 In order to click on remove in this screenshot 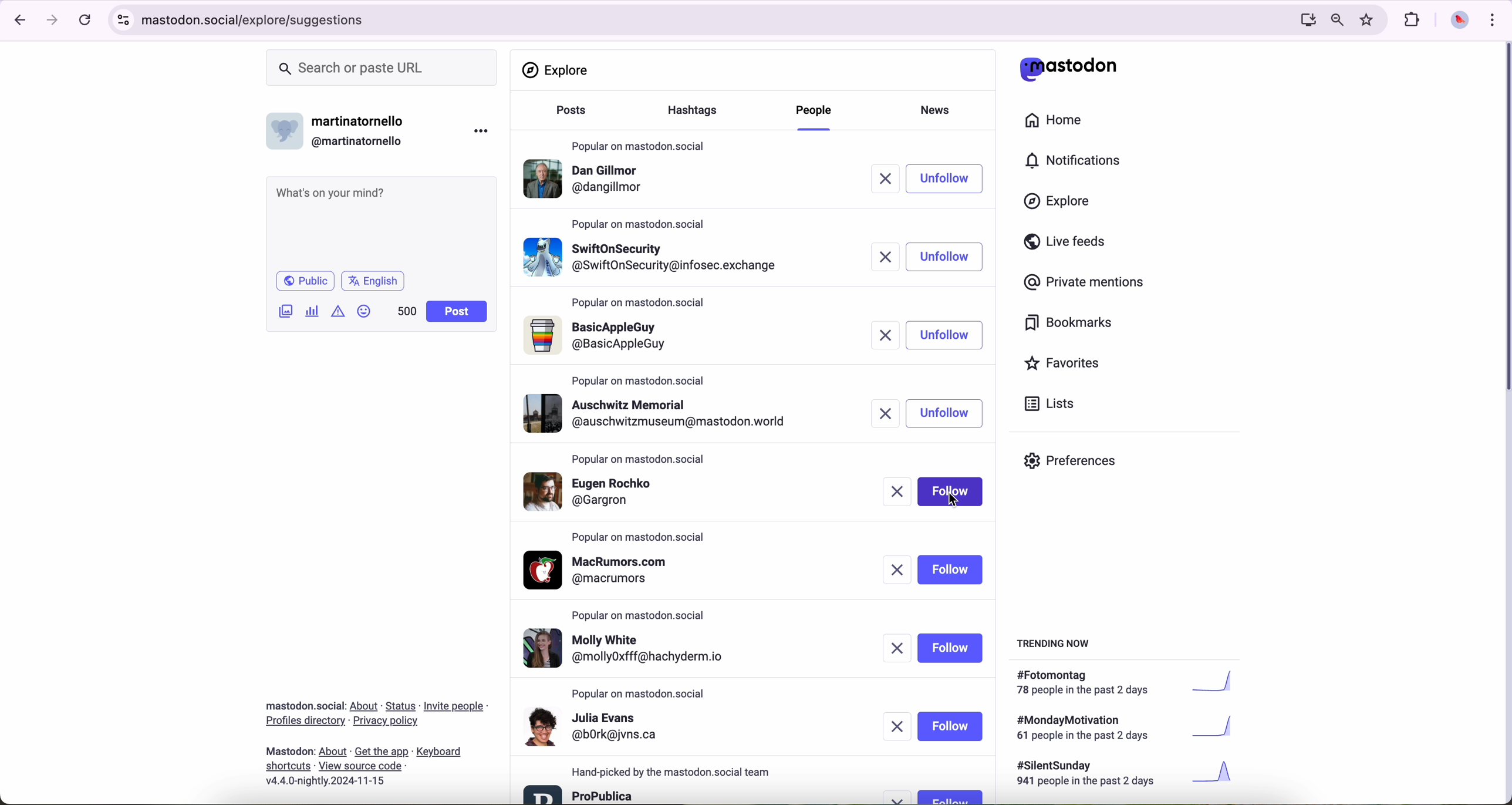, I will do `click(900, 493)`.